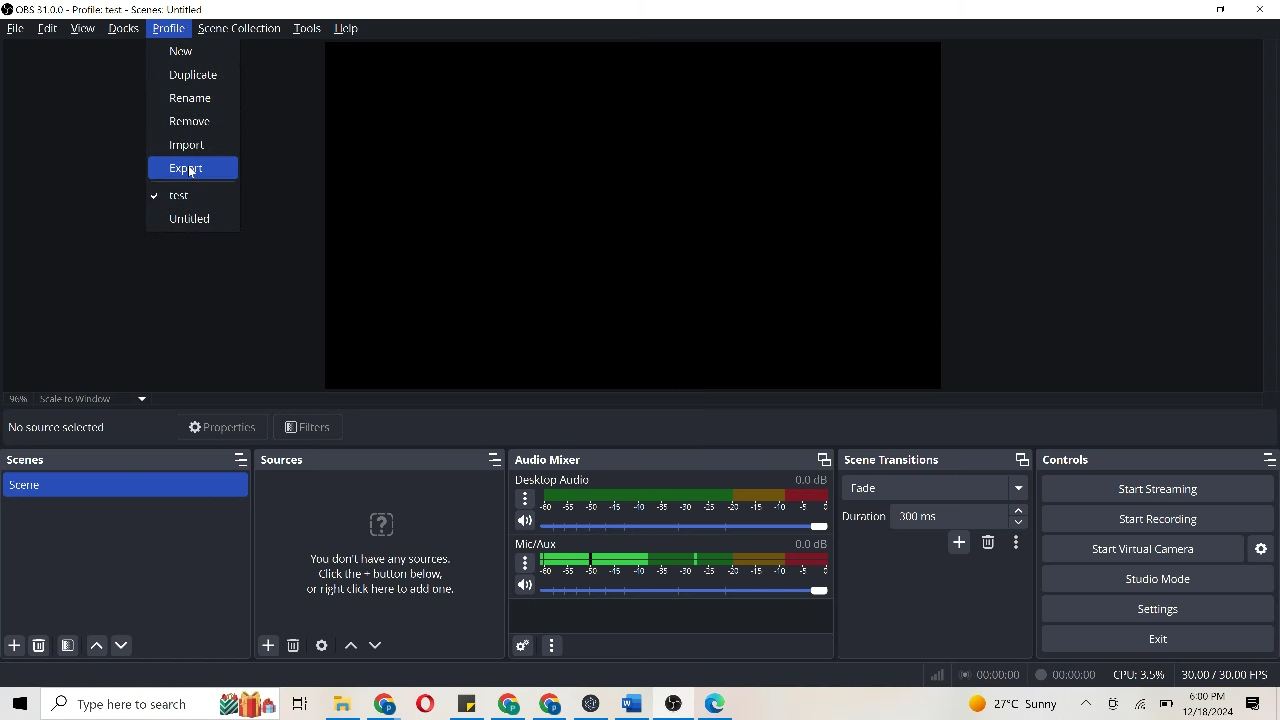  I want to click on move sources up, so click(350, 647).